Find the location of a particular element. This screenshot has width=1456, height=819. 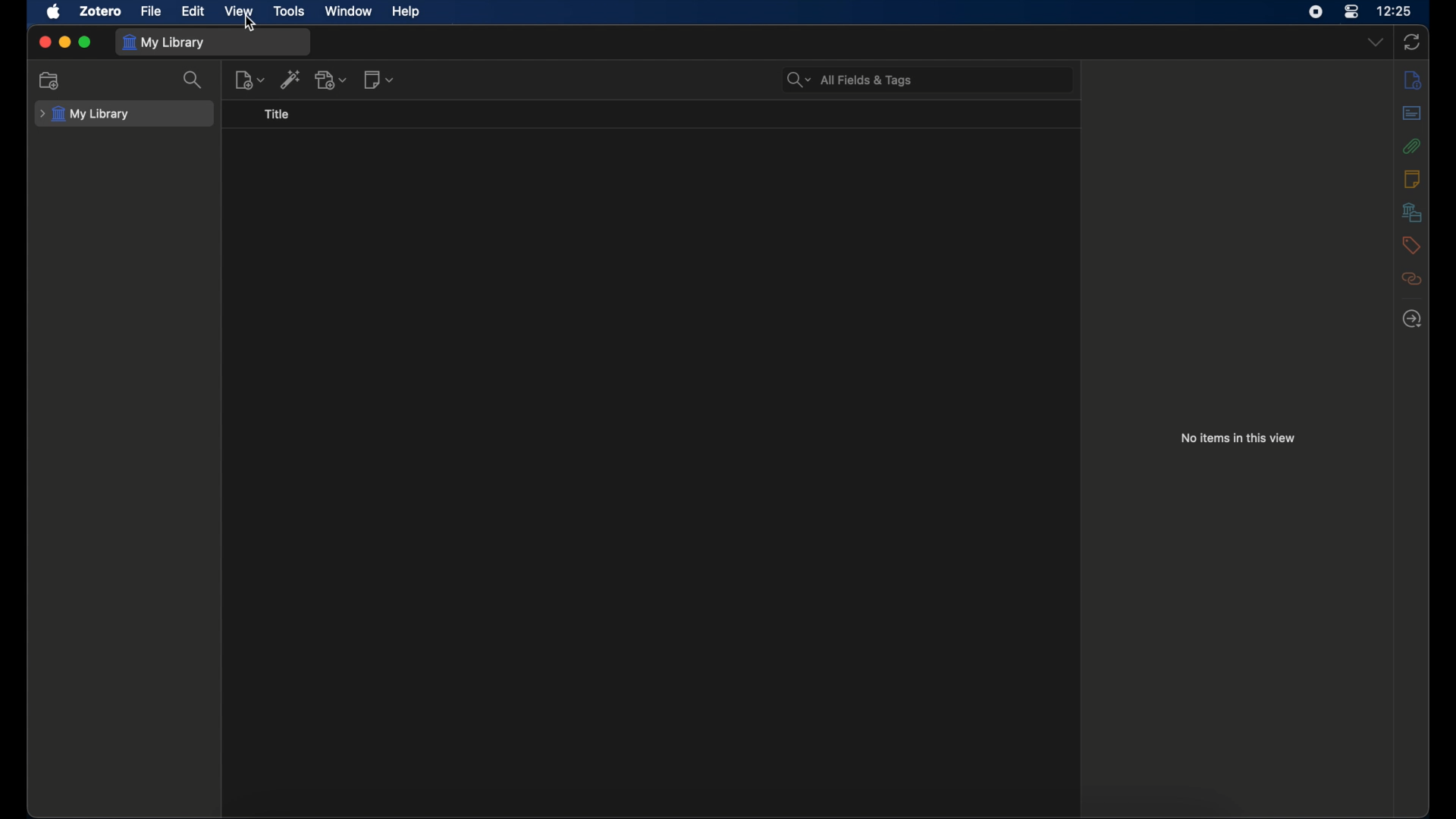

related is located at coordinates (1412, 279).